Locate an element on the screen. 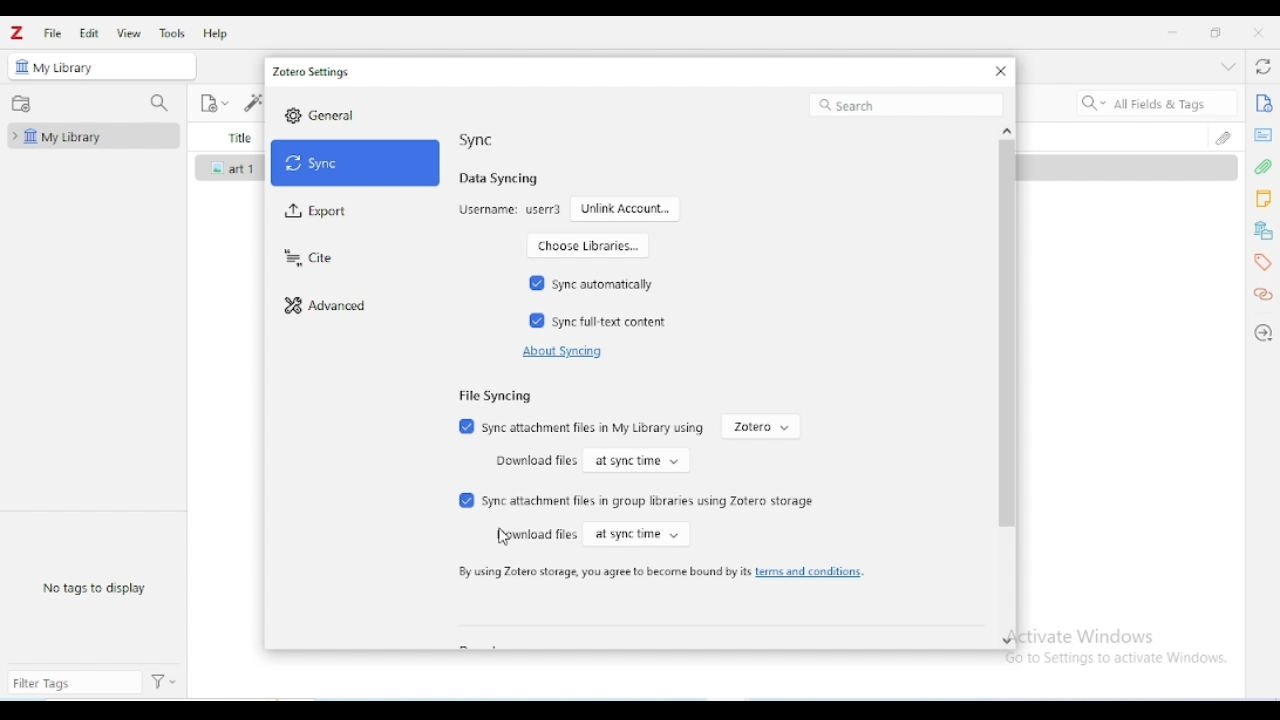 This screenshot has width=1280, height=720. sync is located at coordinates (476, 139).